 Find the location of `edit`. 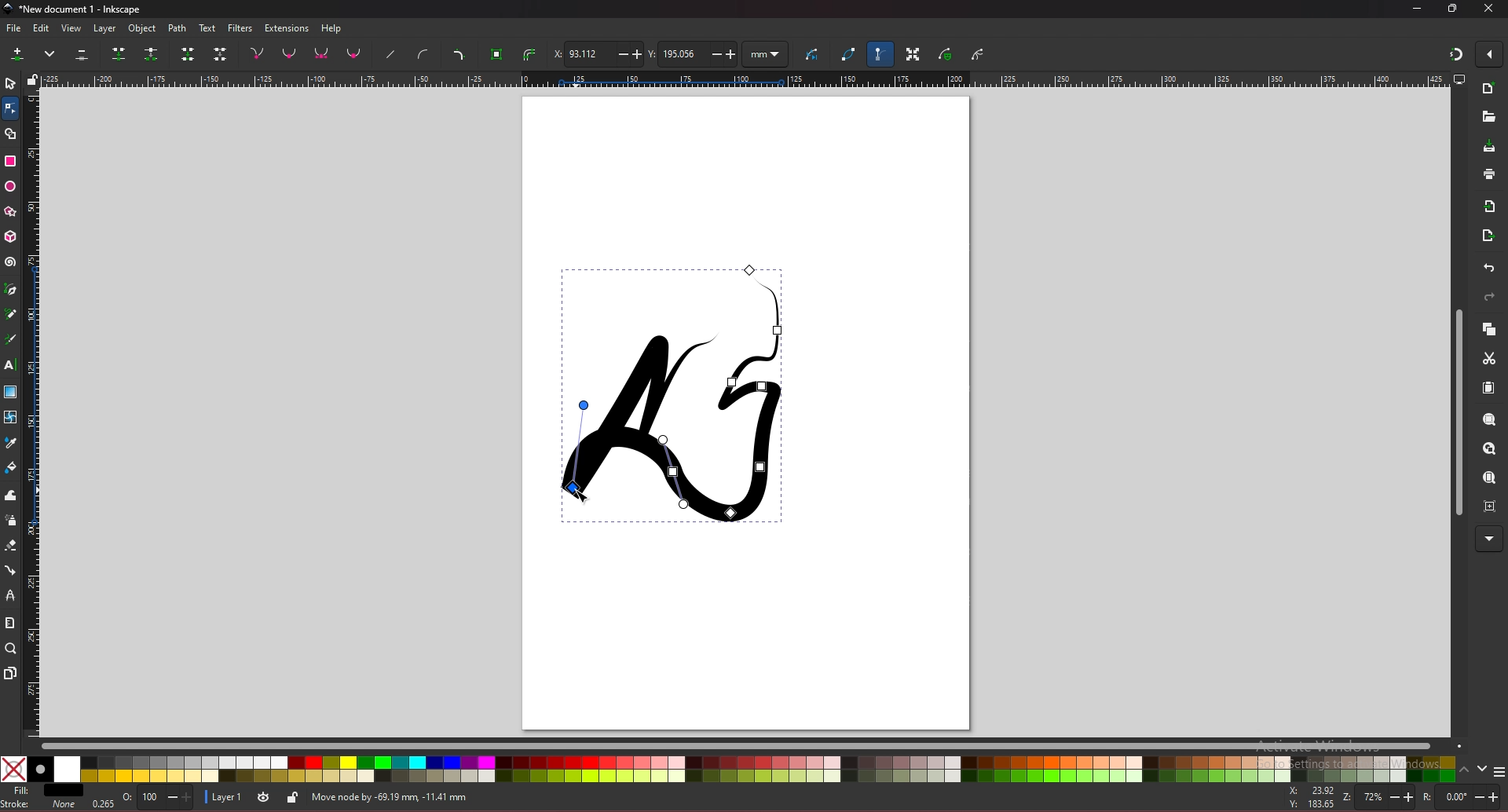

edit is located at coordinates (42, 28).